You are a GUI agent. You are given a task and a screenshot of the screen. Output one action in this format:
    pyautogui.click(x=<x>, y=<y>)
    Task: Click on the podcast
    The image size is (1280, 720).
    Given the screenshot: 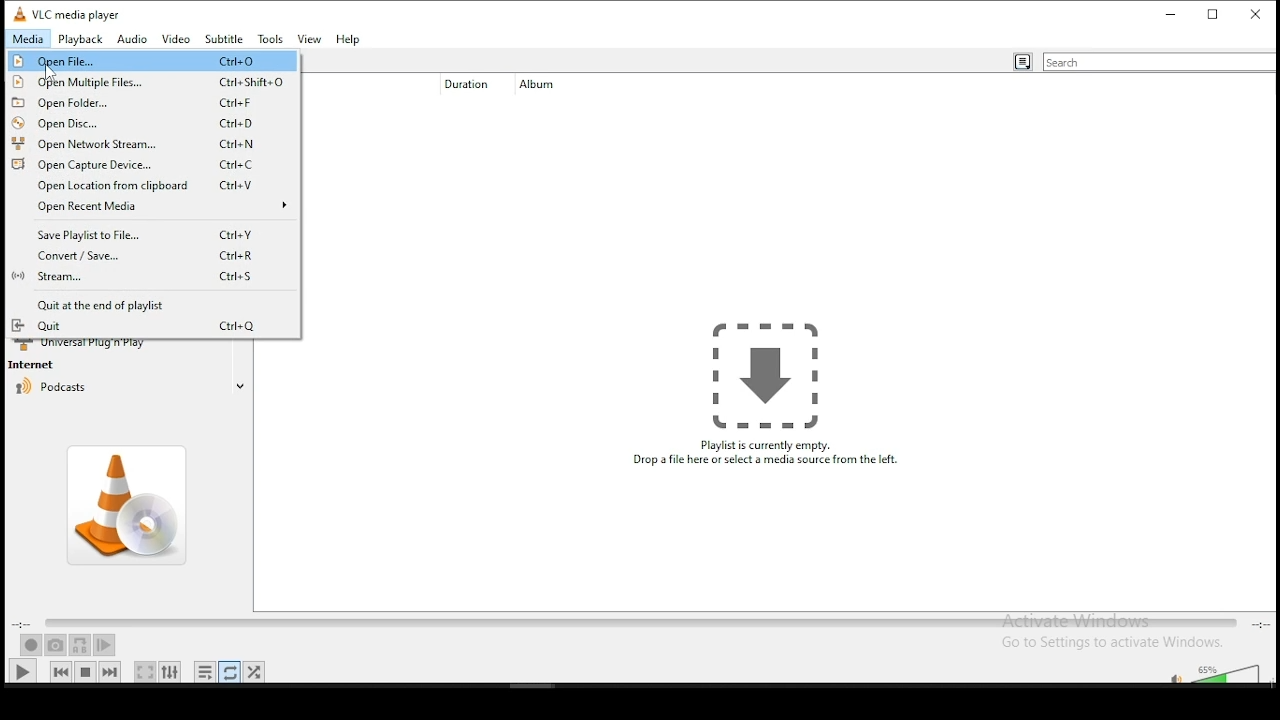 What is the action you would take?
    pyautogui.click(x=52, y=393)
    